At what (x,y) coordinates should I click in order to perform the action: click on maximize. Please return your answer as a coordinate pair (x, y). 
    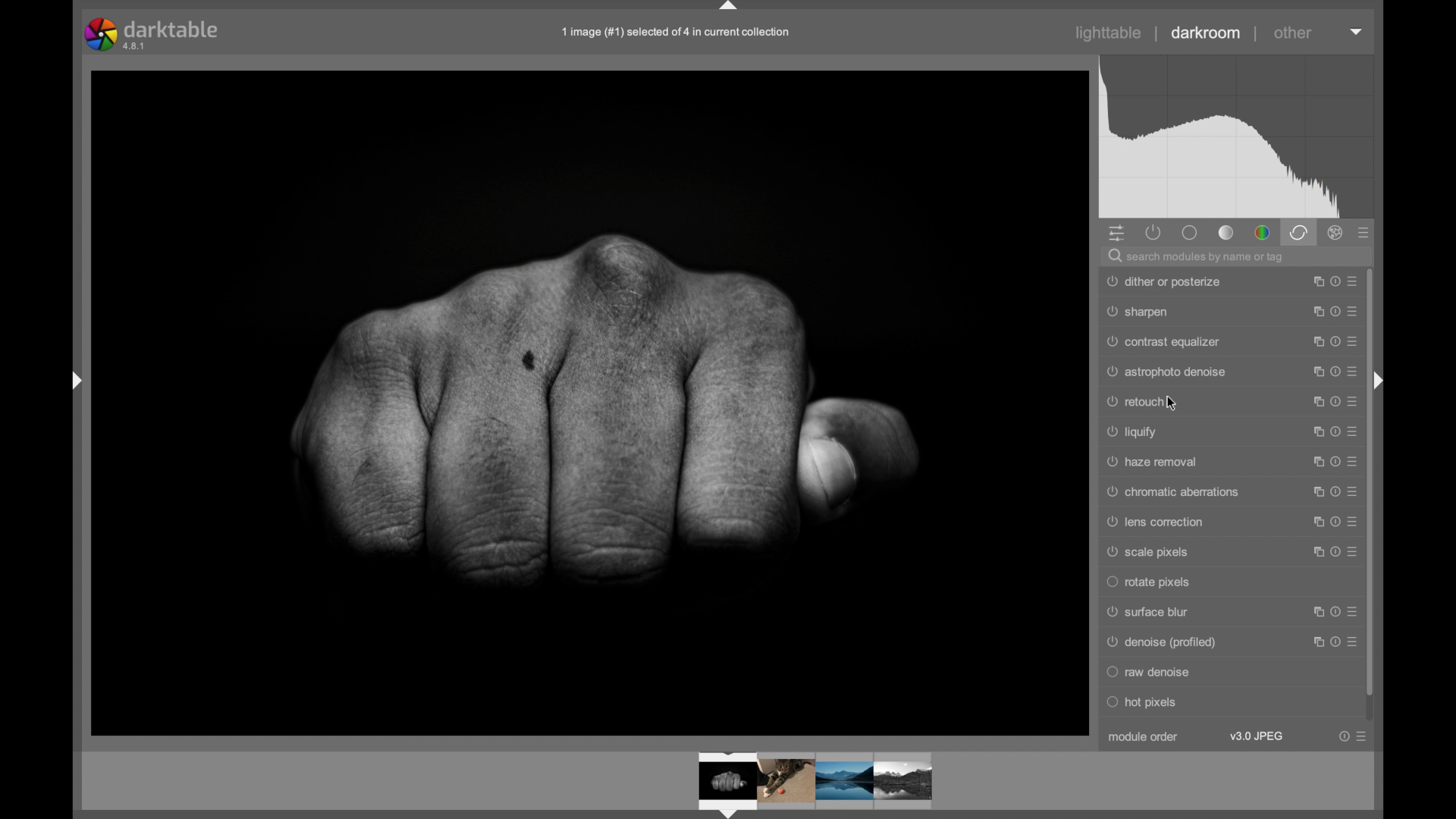
    Looking at the image, I should click on (1313, 522).